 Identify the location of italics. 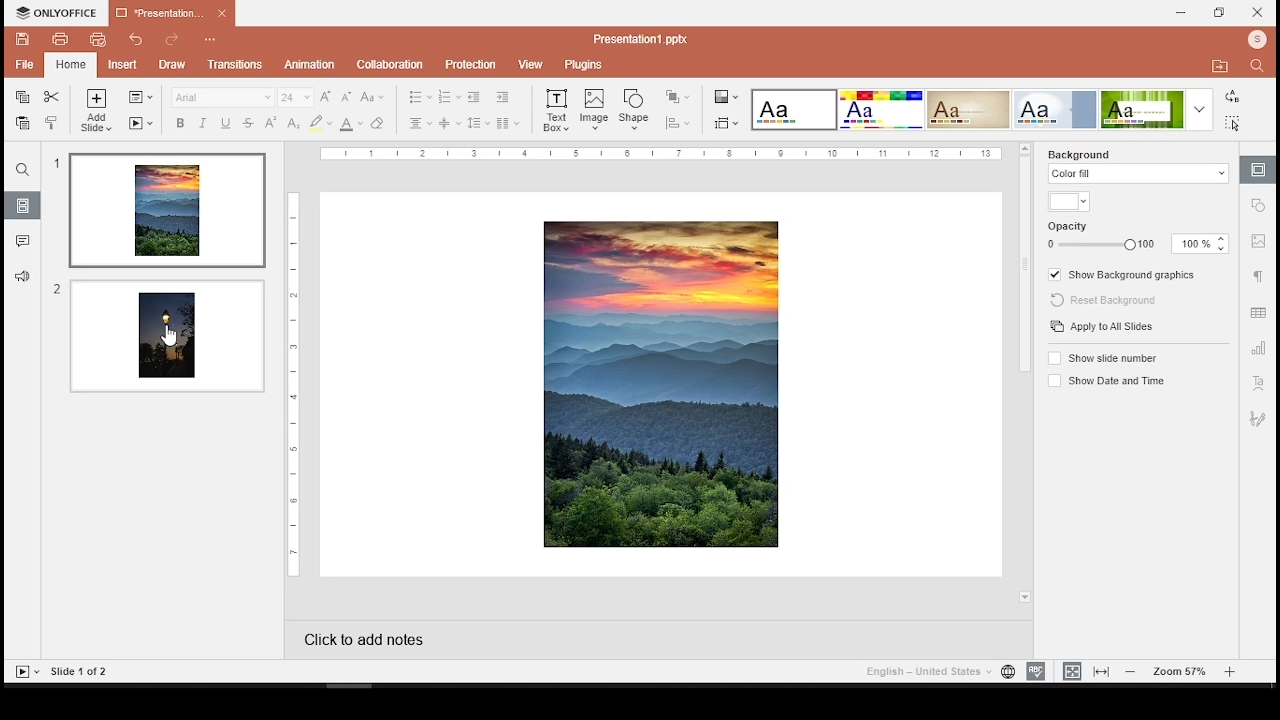
(203, 122).